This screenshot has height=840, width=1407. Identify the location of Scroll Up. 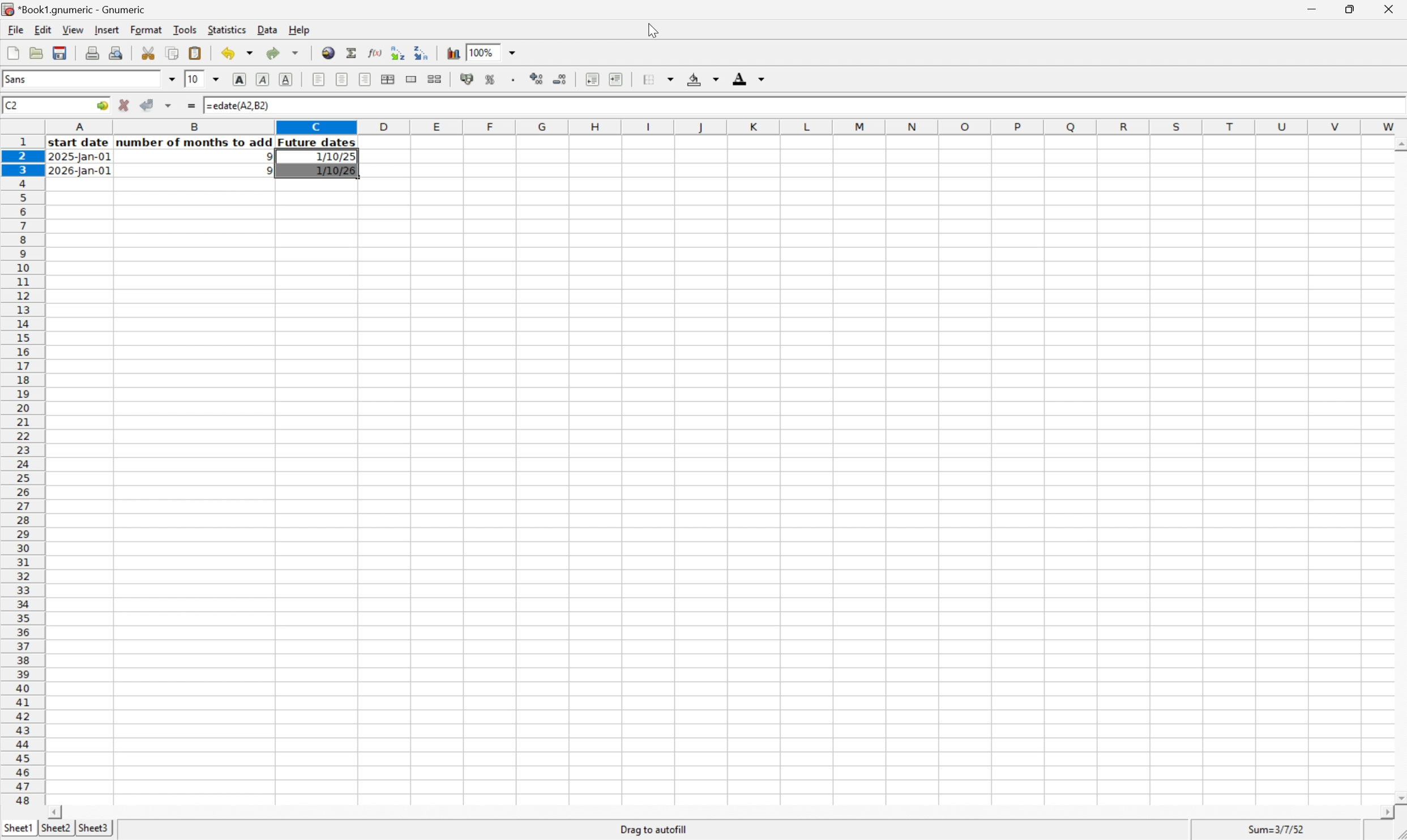
(1398, 143).